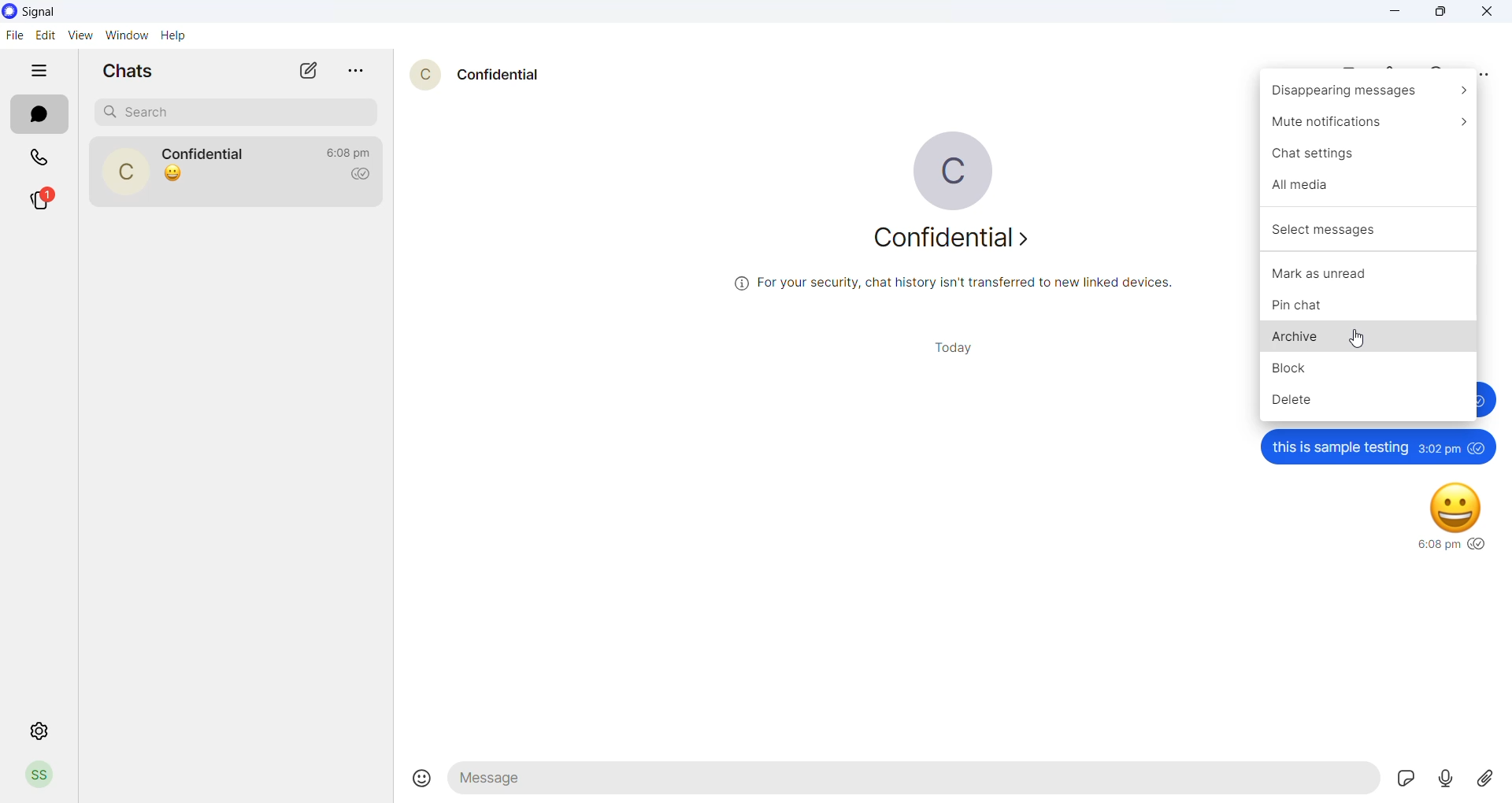 The width and height of the screenshot is (1512, 803). Describe the element at coordinates (129, 70) in the screenshot. I see `chats heading` at that location.